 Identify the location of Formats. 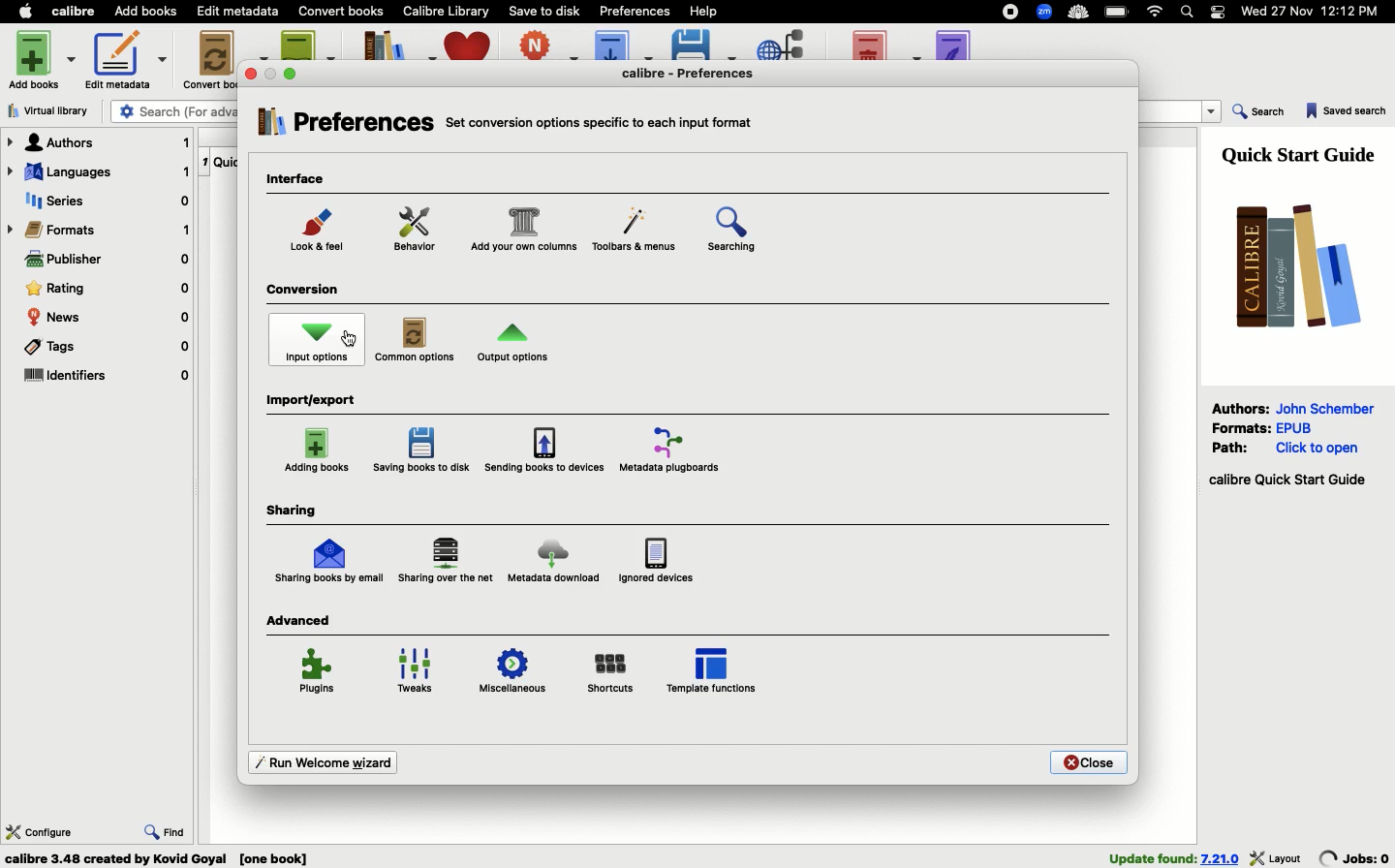
(1242, 426).